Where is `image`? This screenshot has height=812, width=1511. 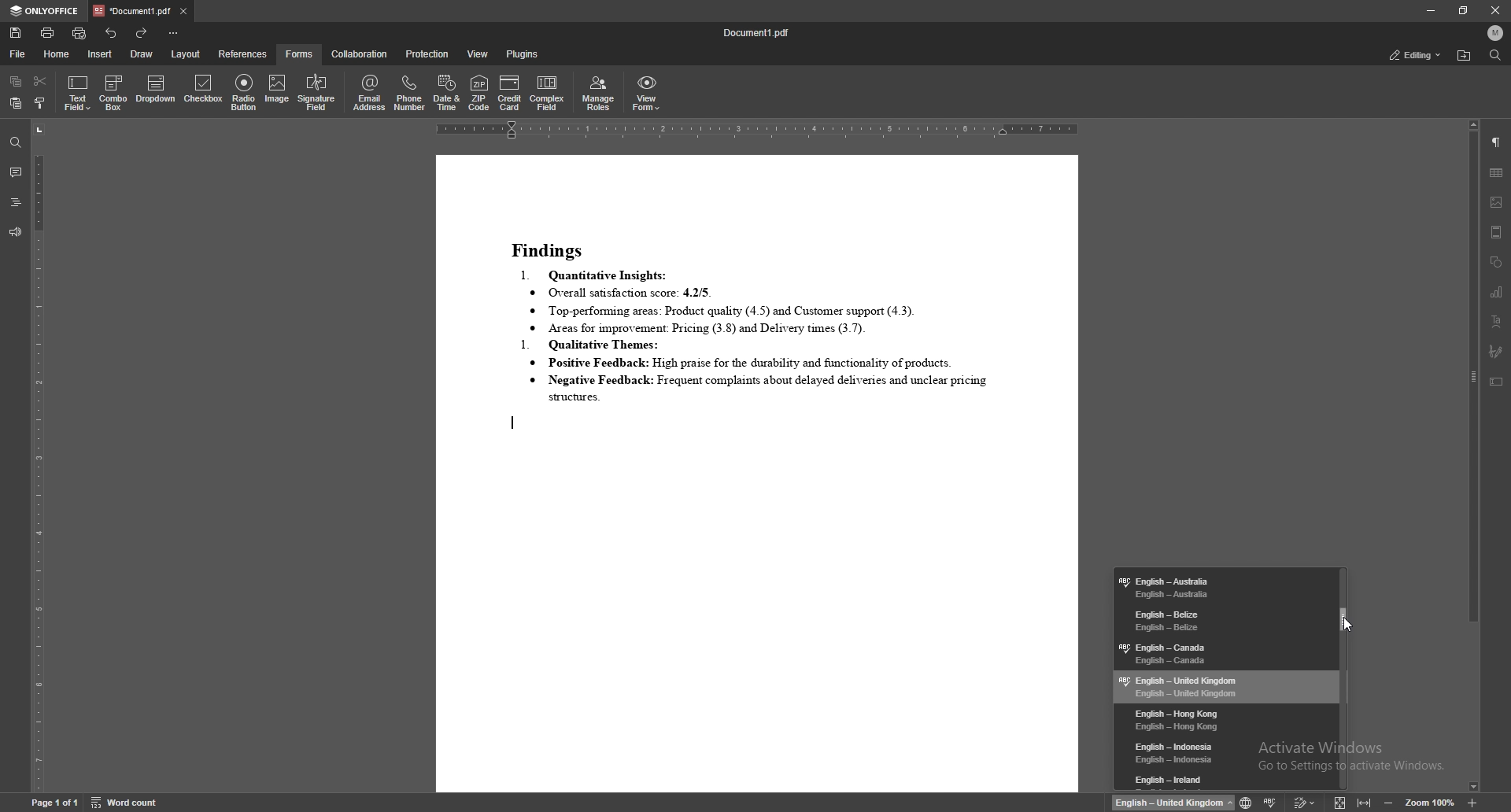
image is located at coordinates (277, 94).